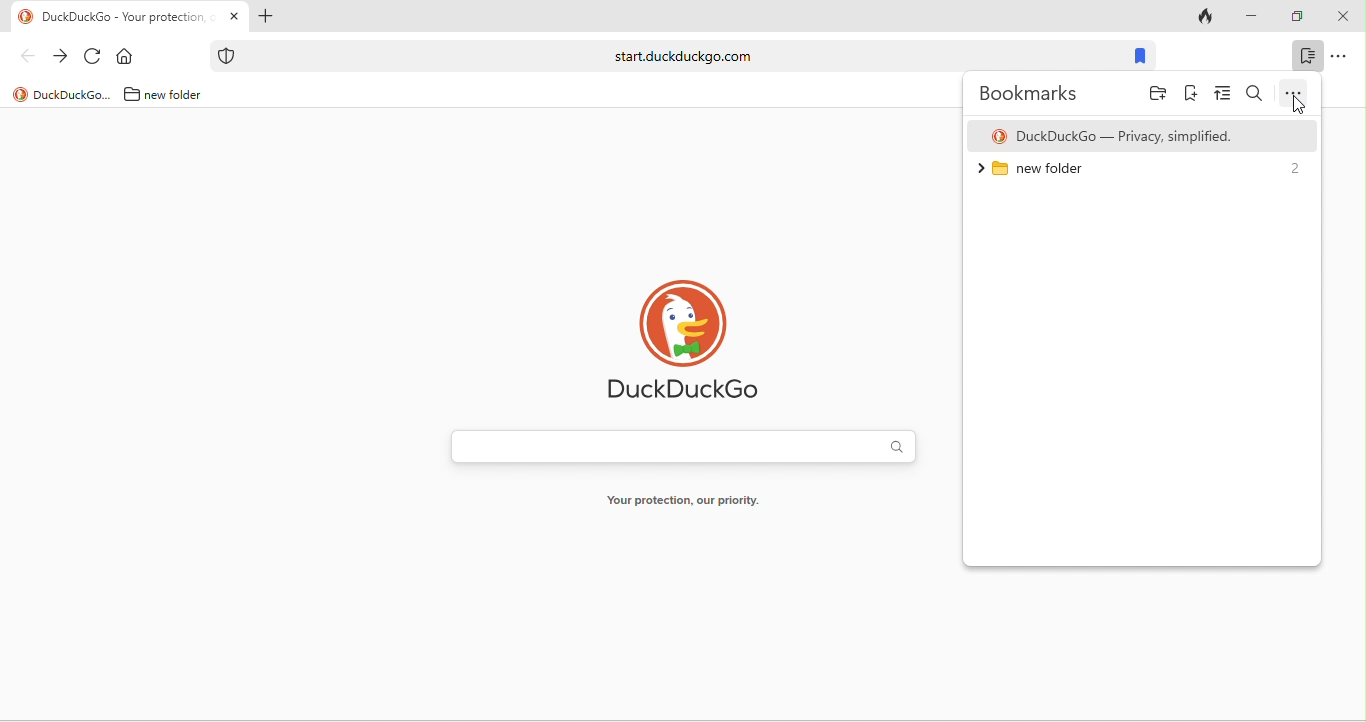 The width and height of the screenshot is (1366, 722). Describe the element at coordinates (73, 94) in the screenshot. I see `DuckDuckGo...` at that location.